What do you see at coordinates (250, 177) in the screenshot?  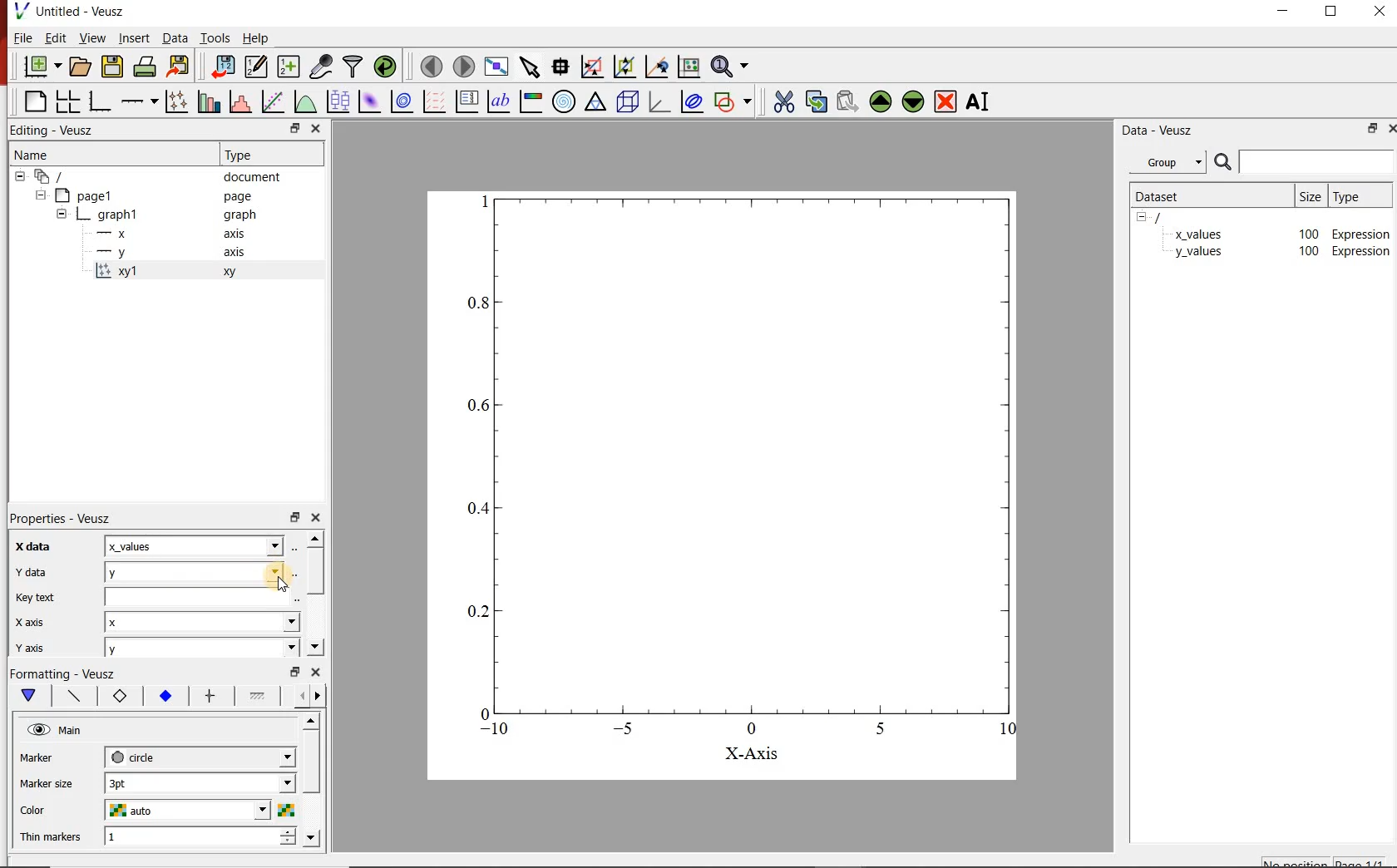 I see `document` at bounding box center [250, 177].